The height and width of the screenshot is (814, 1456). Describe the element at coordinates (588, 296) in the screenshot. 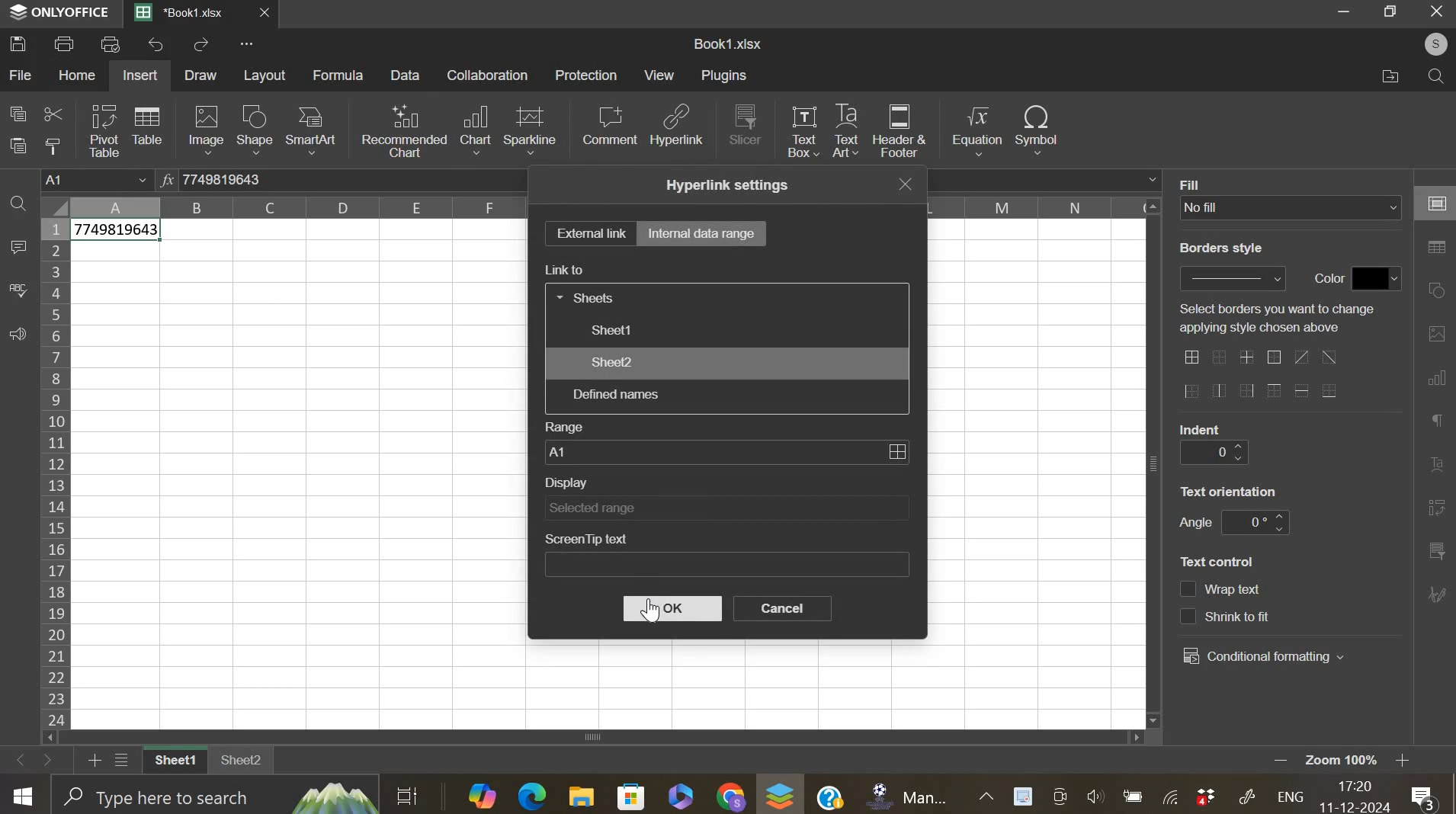

I see `sheets` at that location.